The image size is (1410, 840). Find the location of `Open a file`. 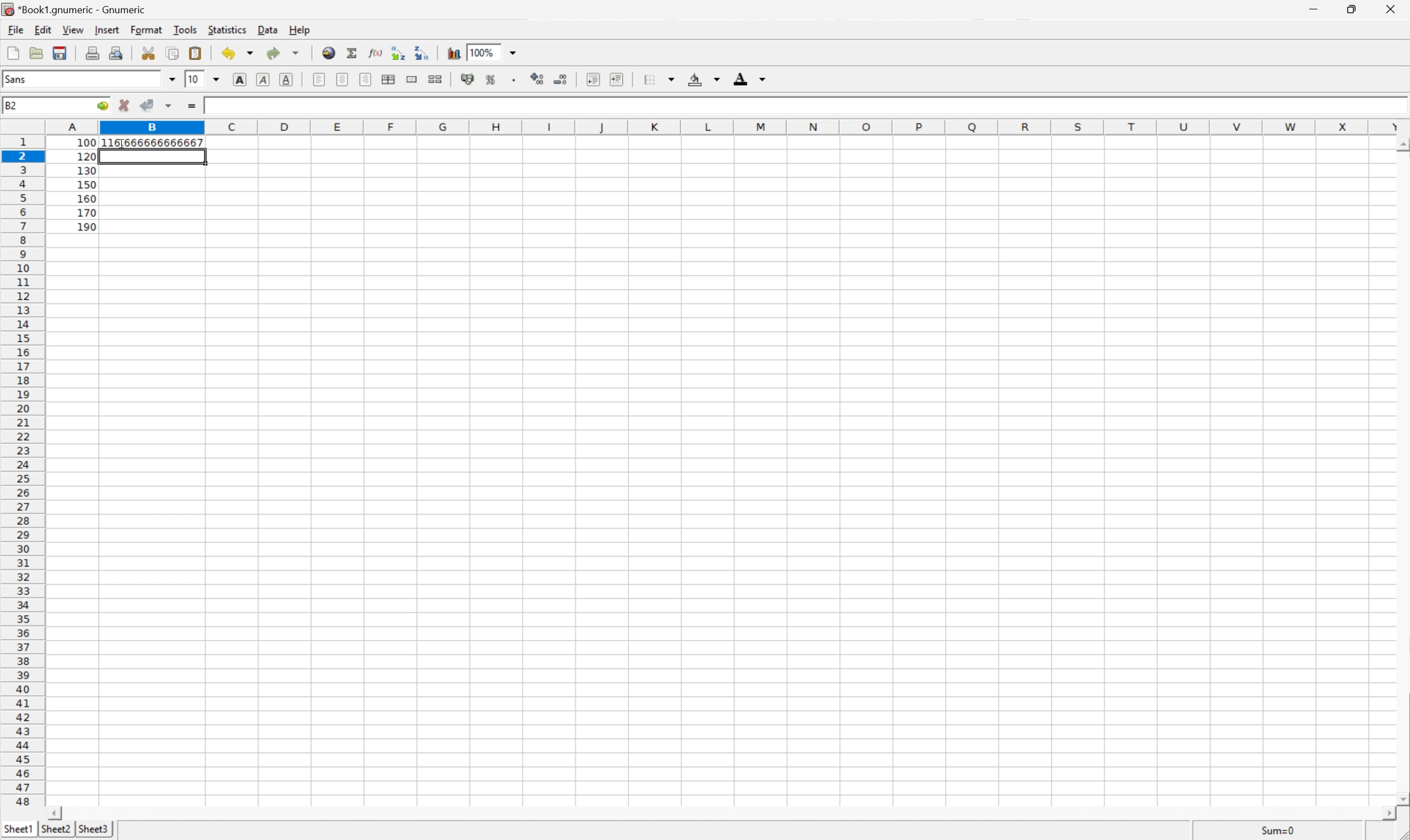

Open a file is located at coordinates (37, 53).